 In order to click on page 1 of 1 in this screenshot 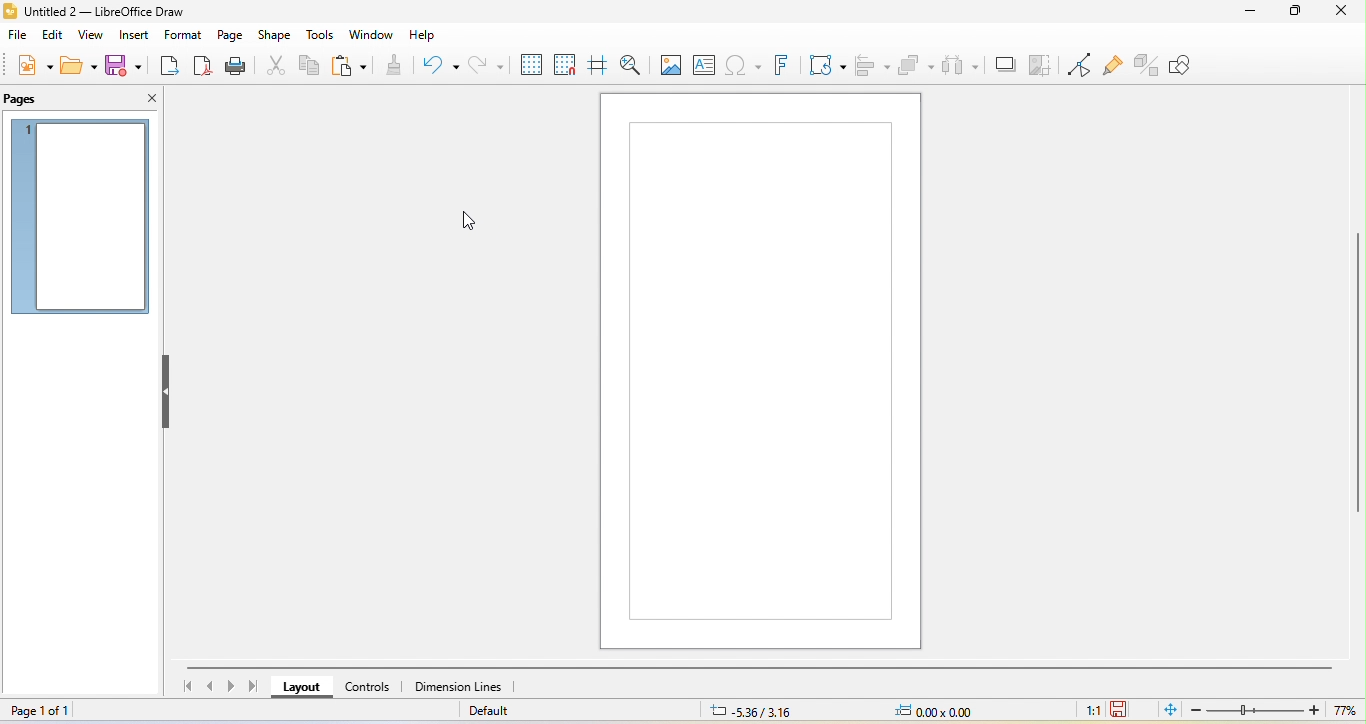, I will do `click(50, 711)`.